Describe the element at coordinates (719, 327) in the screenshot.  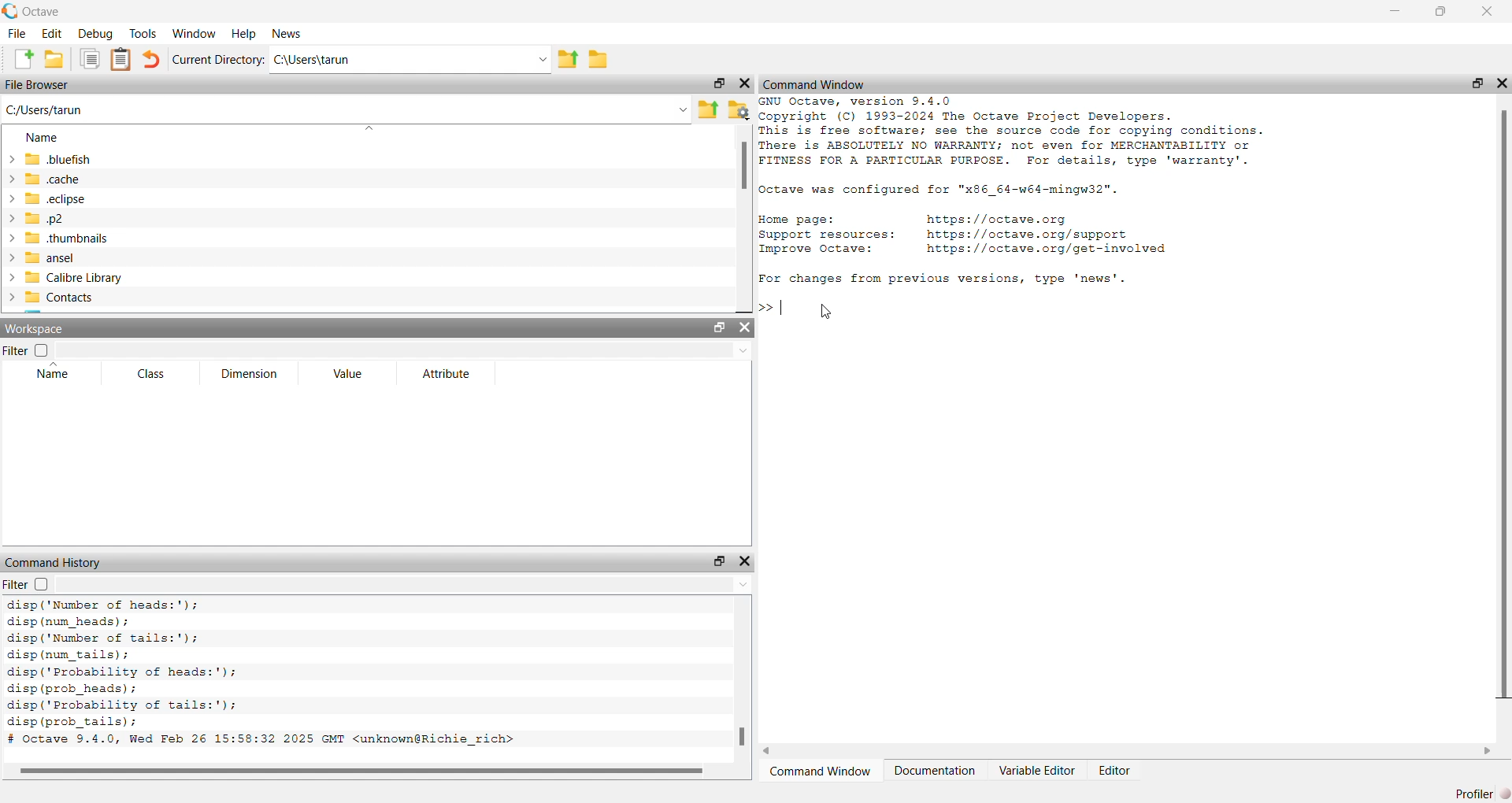
I see `Undock Widget` at that location.